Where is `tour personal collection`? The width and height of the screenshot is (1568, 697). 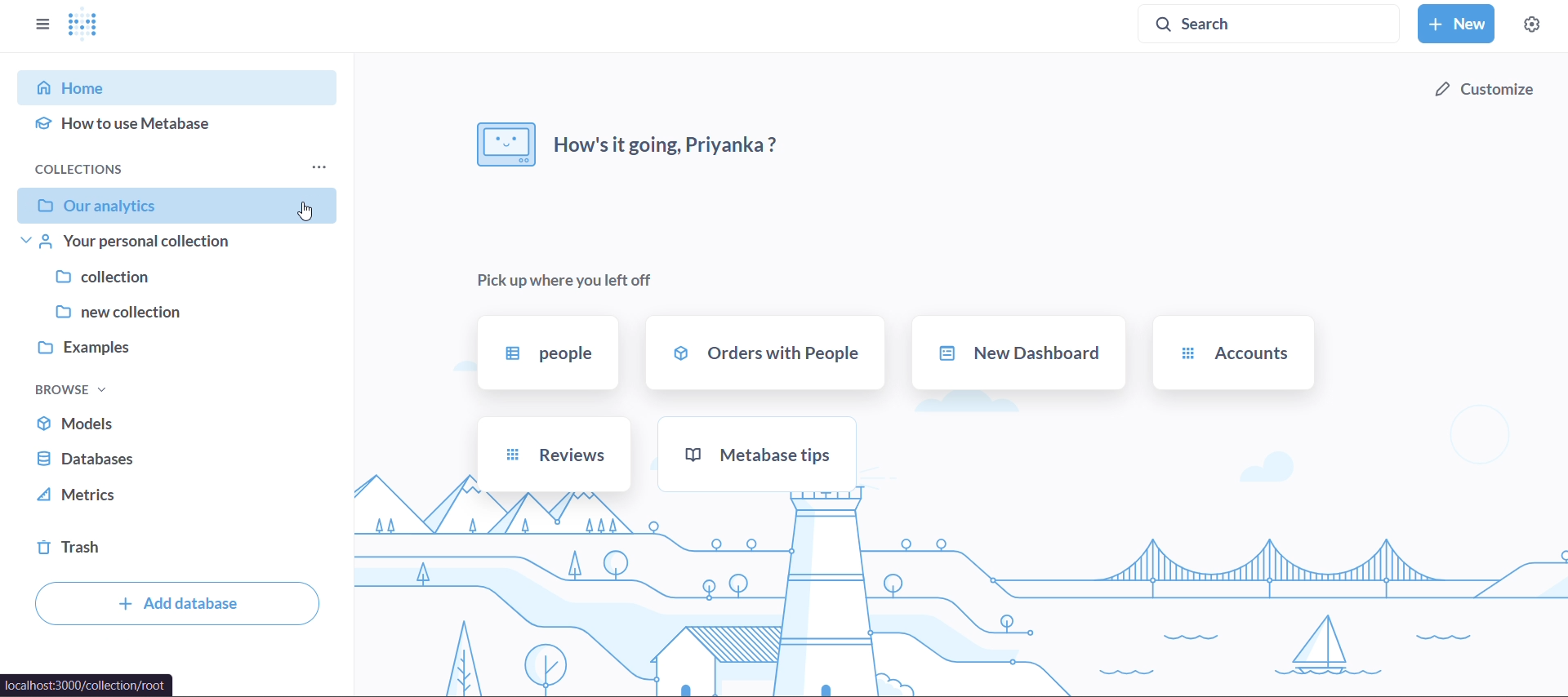
tour personal collection is located at coordinates (170, 245).